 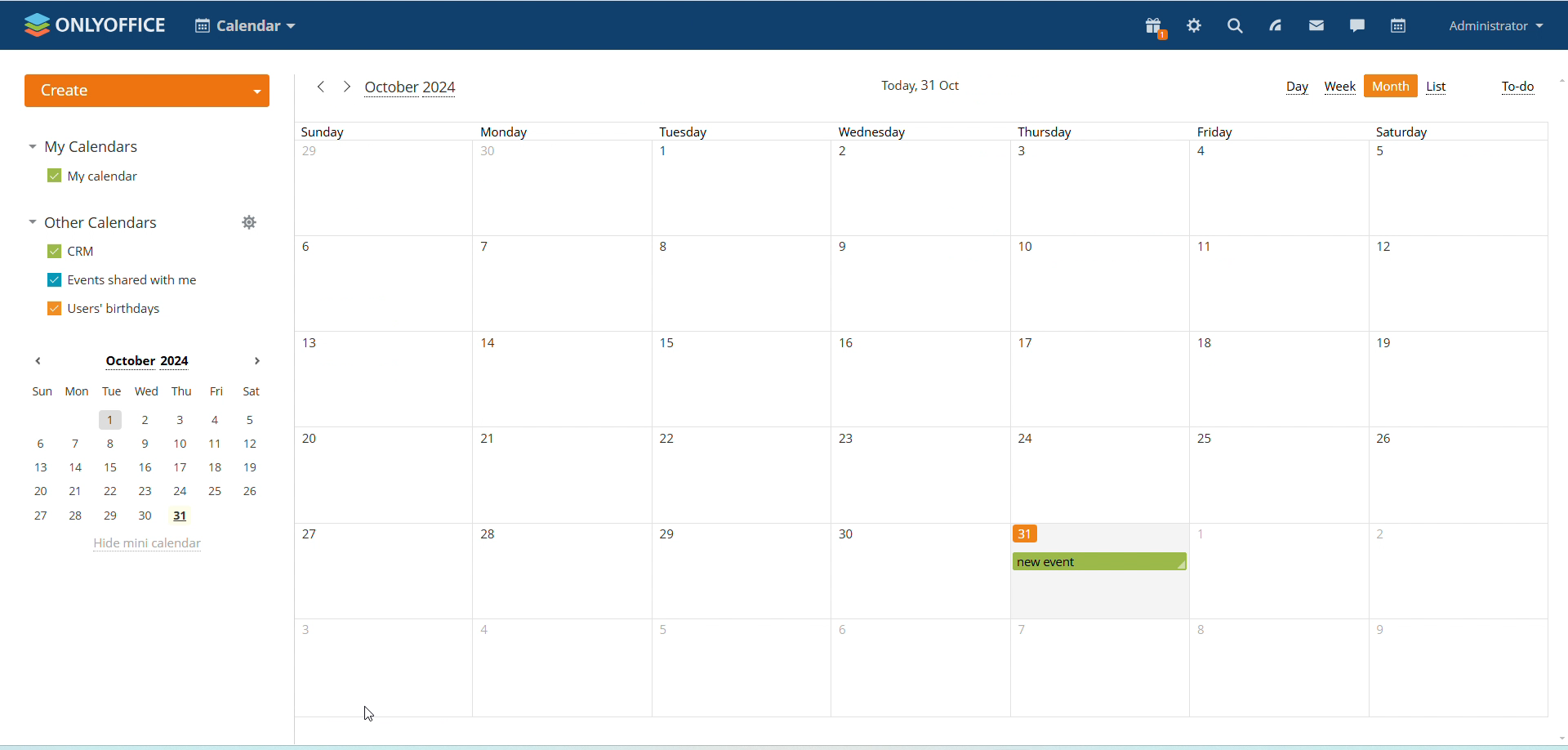 What do you see at coordinates (923, 87) in the screenshot?
I see `current date` at bounding box center [923, 87].